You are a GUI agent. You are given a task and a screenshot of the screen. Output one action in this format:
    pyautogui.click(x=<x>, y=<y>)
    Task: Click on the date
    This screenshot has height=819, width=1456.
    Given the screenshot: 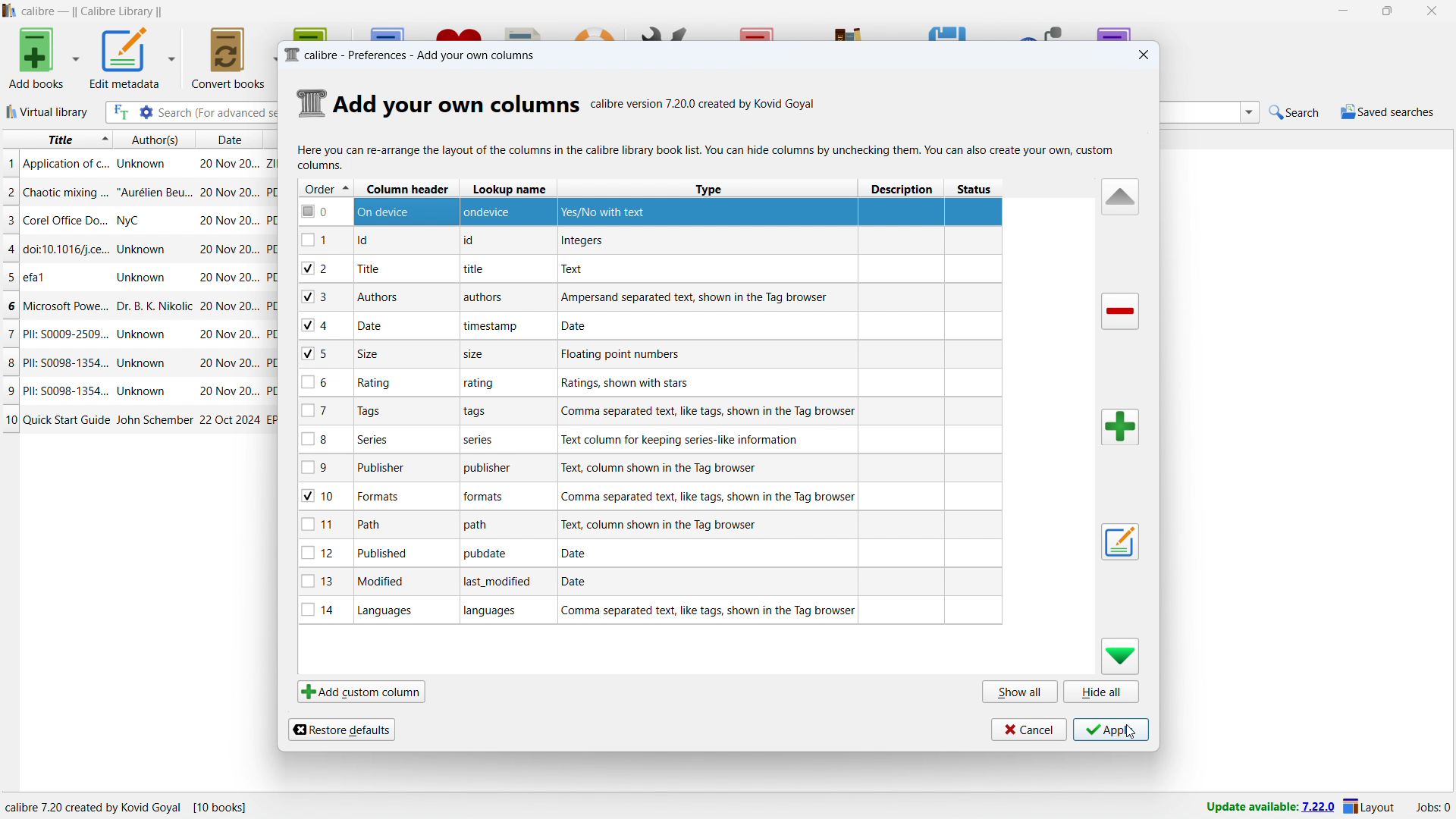 What is the action you would take?
    pyautogui.click(x=230, y=334)
    